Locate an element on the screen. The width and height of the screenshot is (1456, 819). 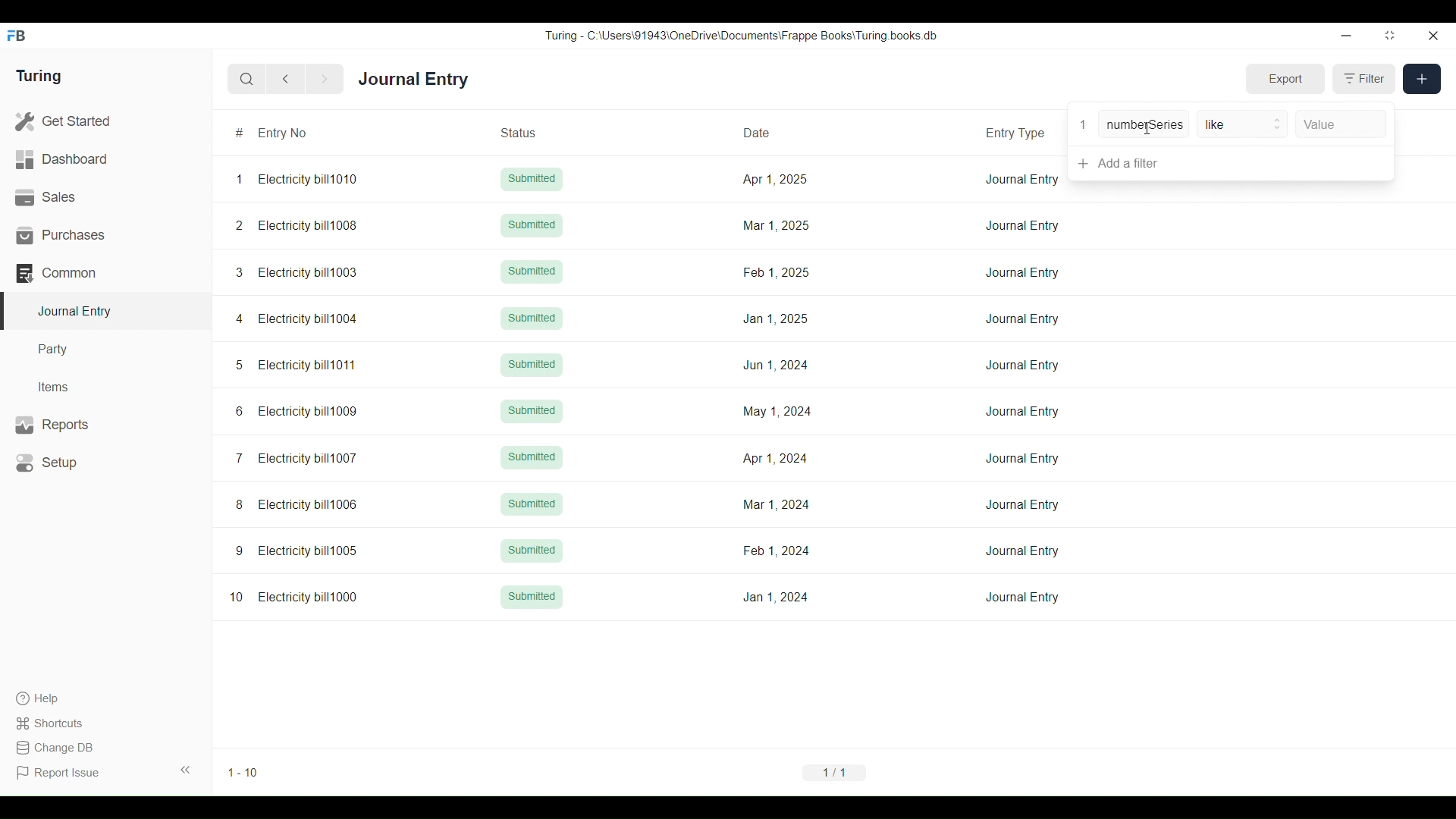
Common is located at coordinates (105, 273).